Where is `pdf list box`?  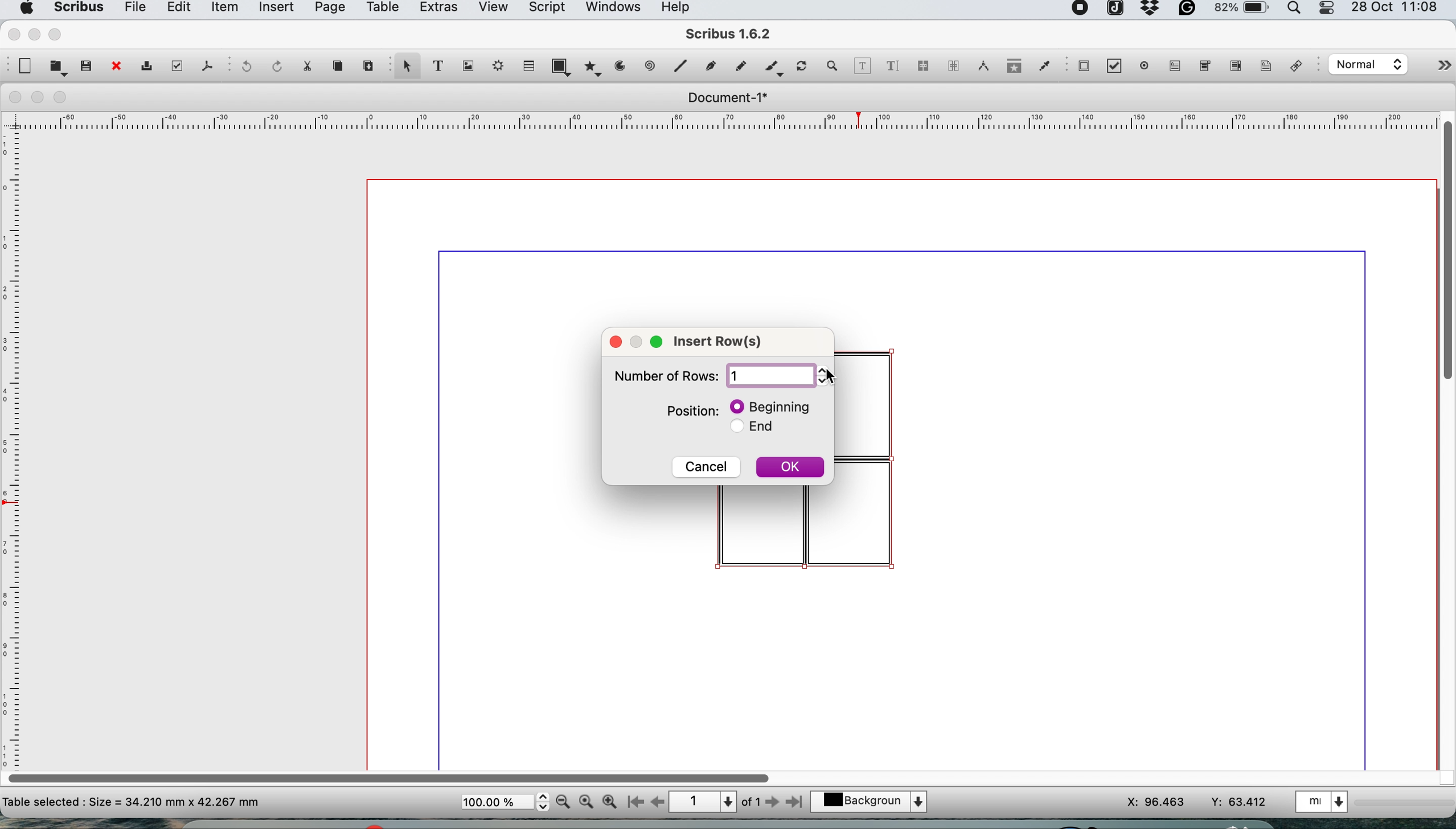 pdf list box is located at coordinates (1234, 68).